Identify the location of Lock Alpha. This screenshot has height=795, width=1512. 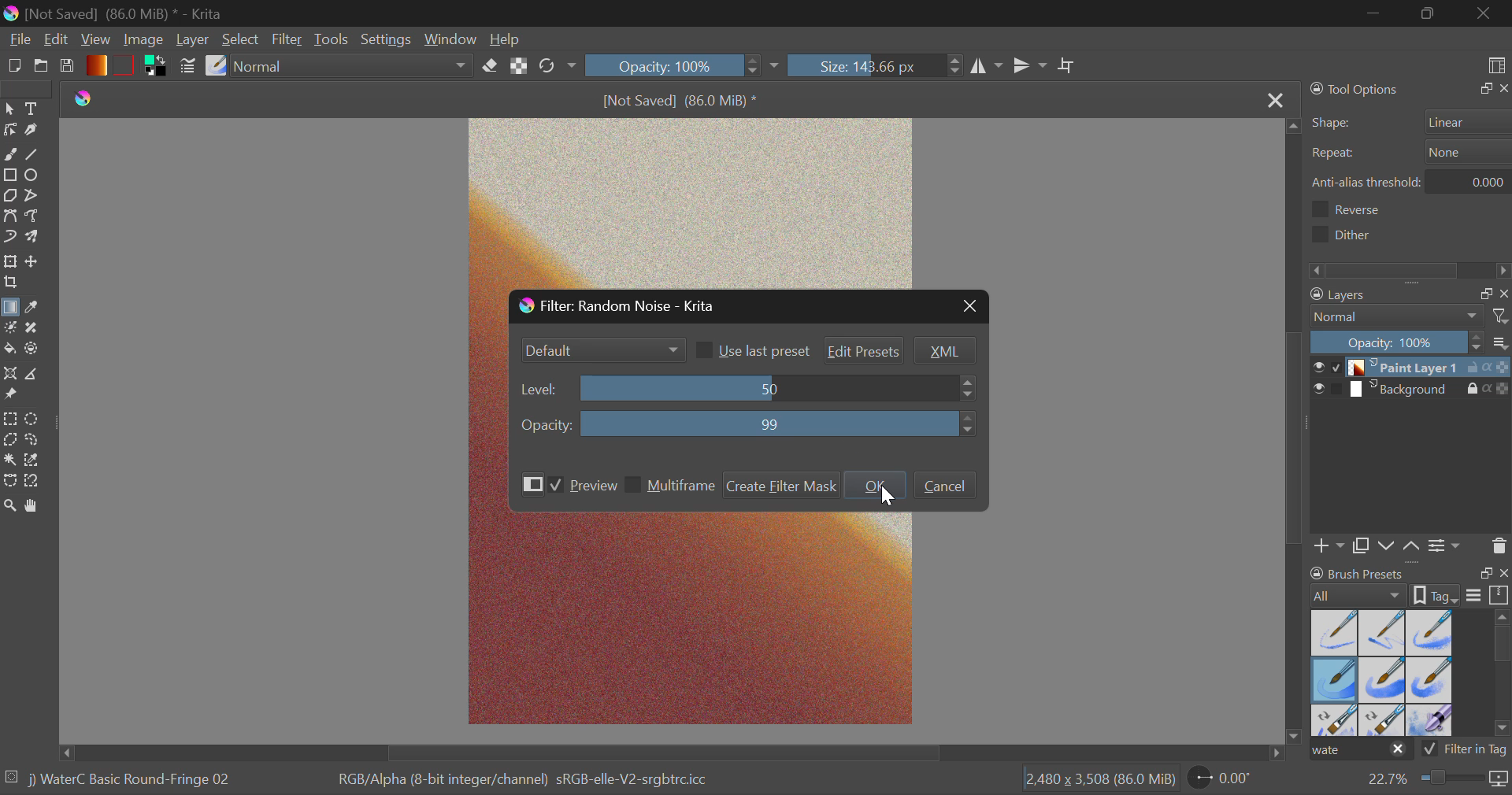
(519, 68).